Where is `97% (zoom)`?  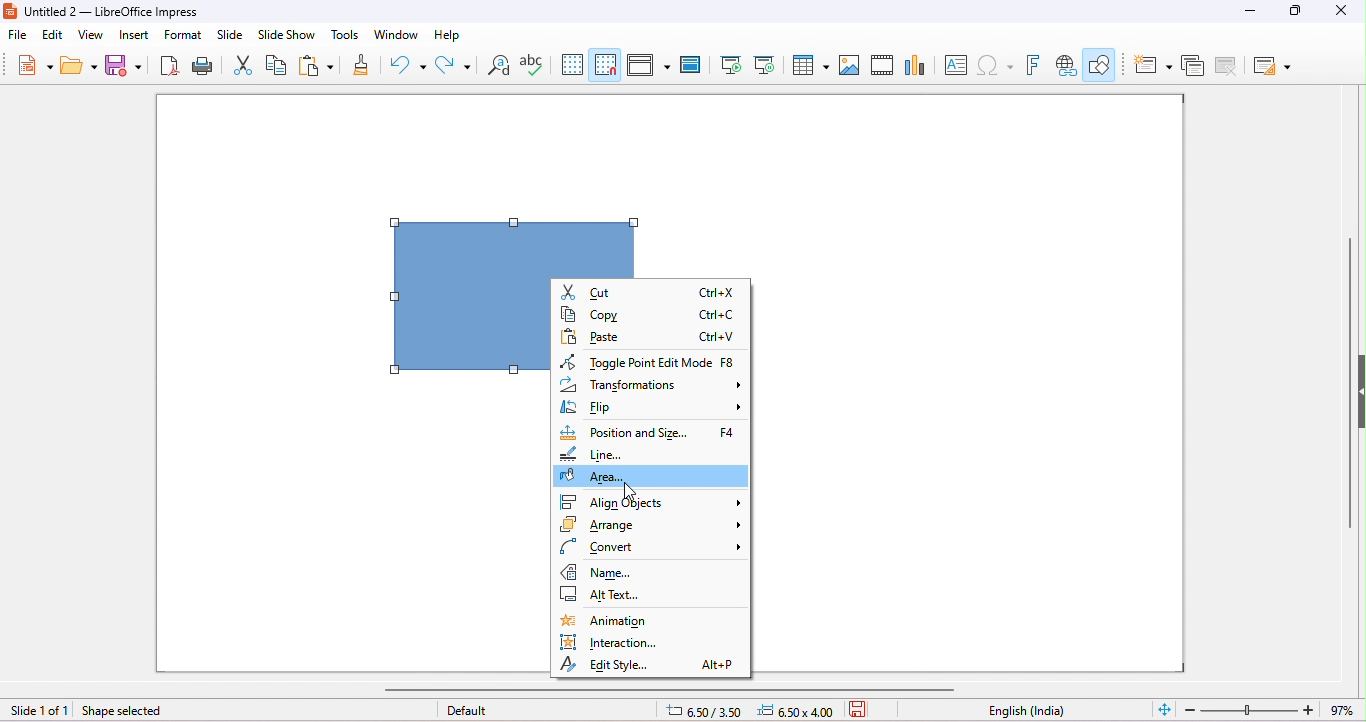 97% (zoom) is located at coordinates (1268, 710).